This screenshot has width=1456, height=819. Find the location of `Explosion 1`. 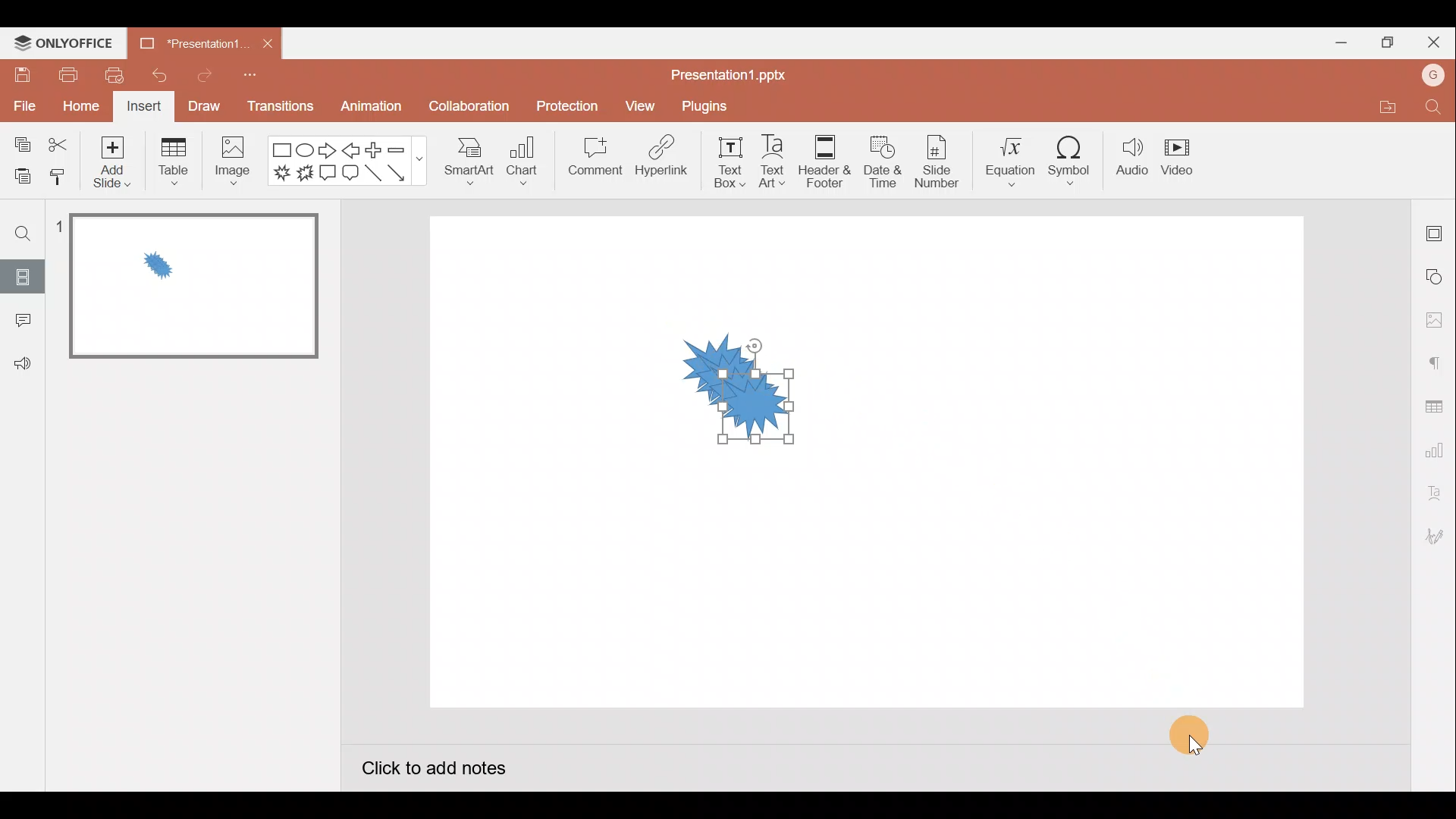

Explosion 1 is located at coordinates (279, 175).